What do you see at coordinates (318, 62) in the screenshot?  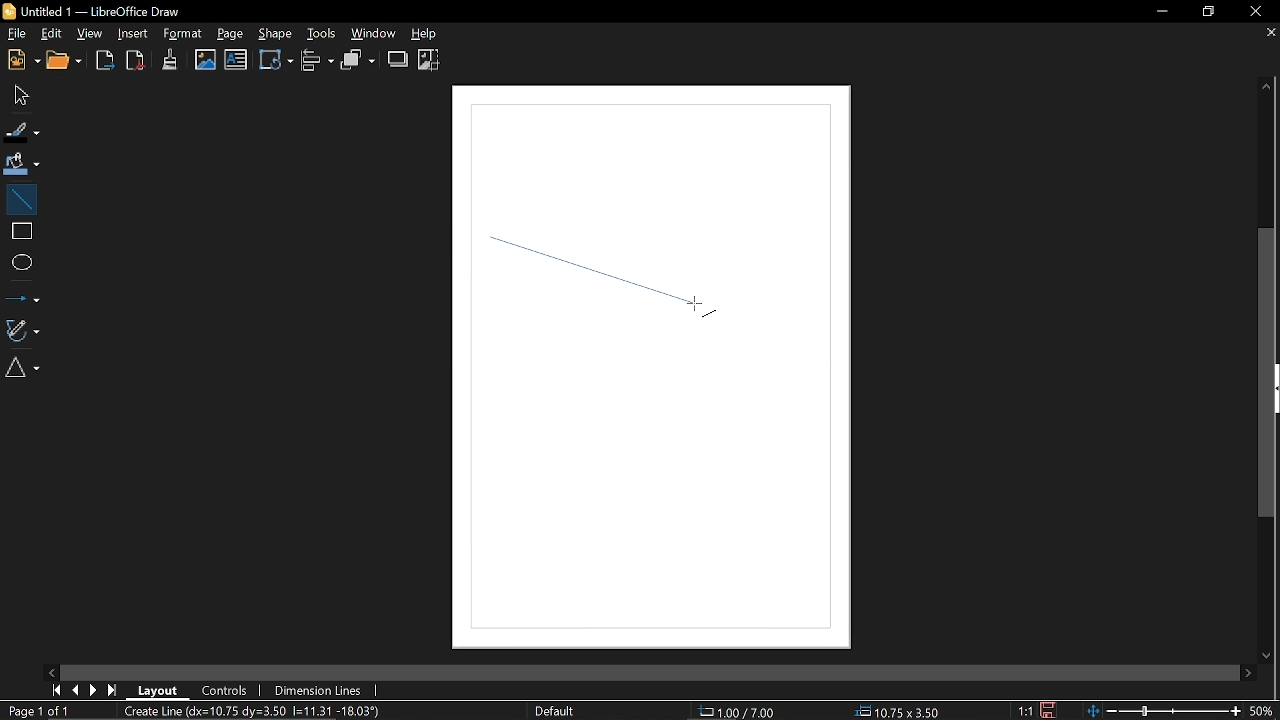 I see `Align` at bounding box center [318, 62].